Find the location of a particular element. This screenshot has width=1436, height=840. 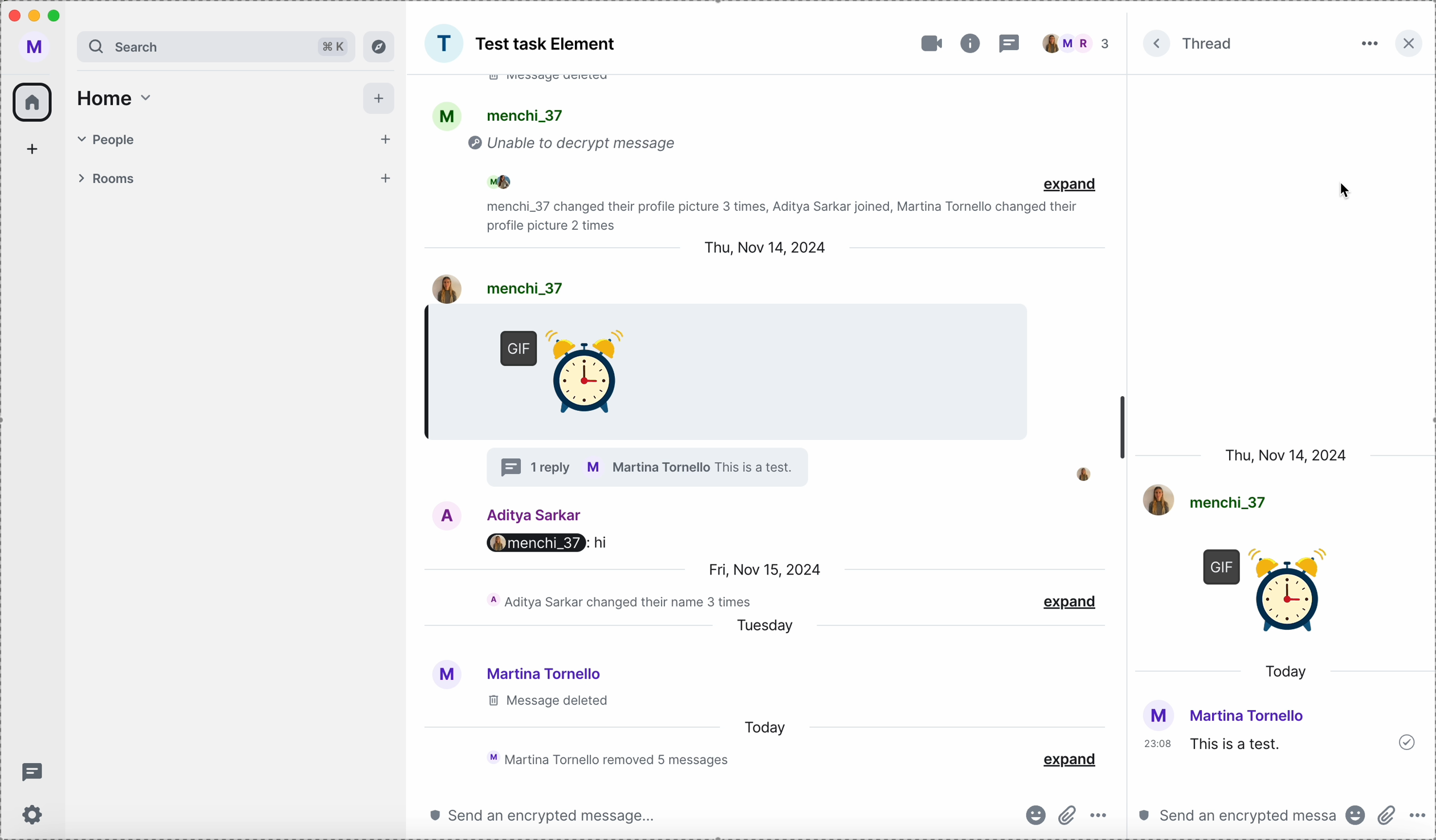

chat activity of the day is located at coordinates (604, 759).